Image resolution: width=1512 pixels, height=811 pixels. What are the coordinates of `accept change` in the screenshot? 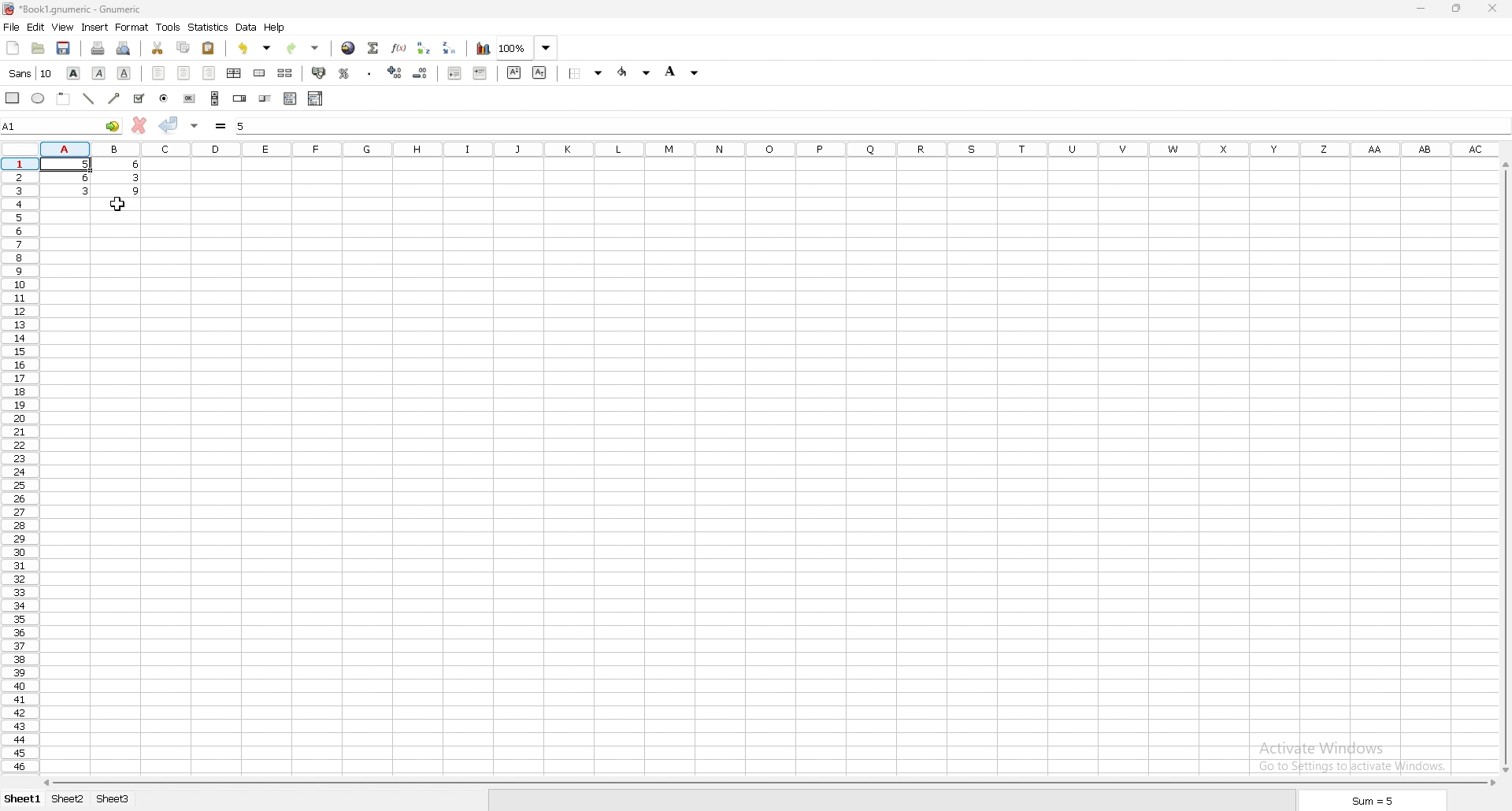 It's located at (169, 124).